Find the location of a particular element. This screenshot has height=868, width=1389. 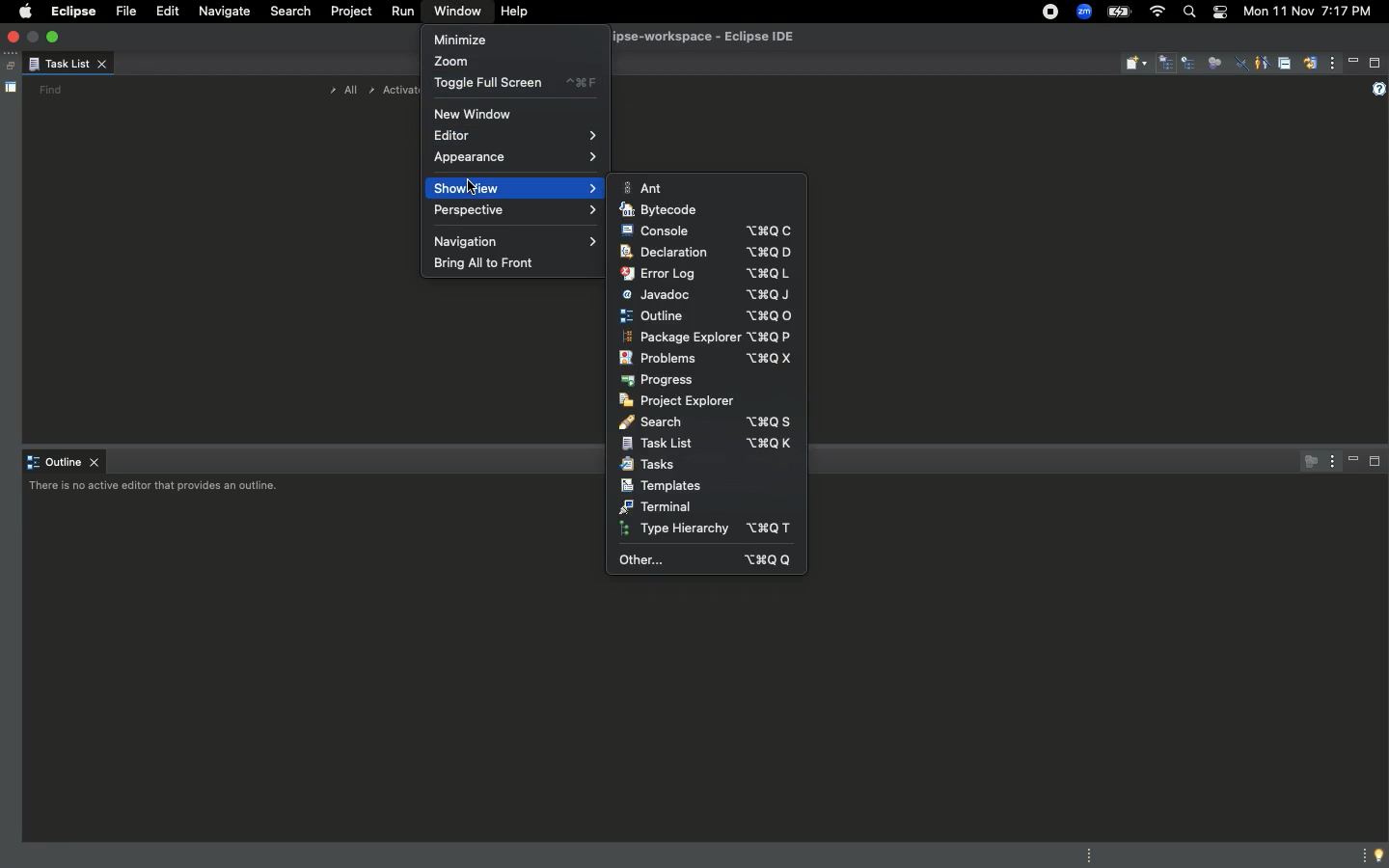

Other is located at coordinates (706, 562).